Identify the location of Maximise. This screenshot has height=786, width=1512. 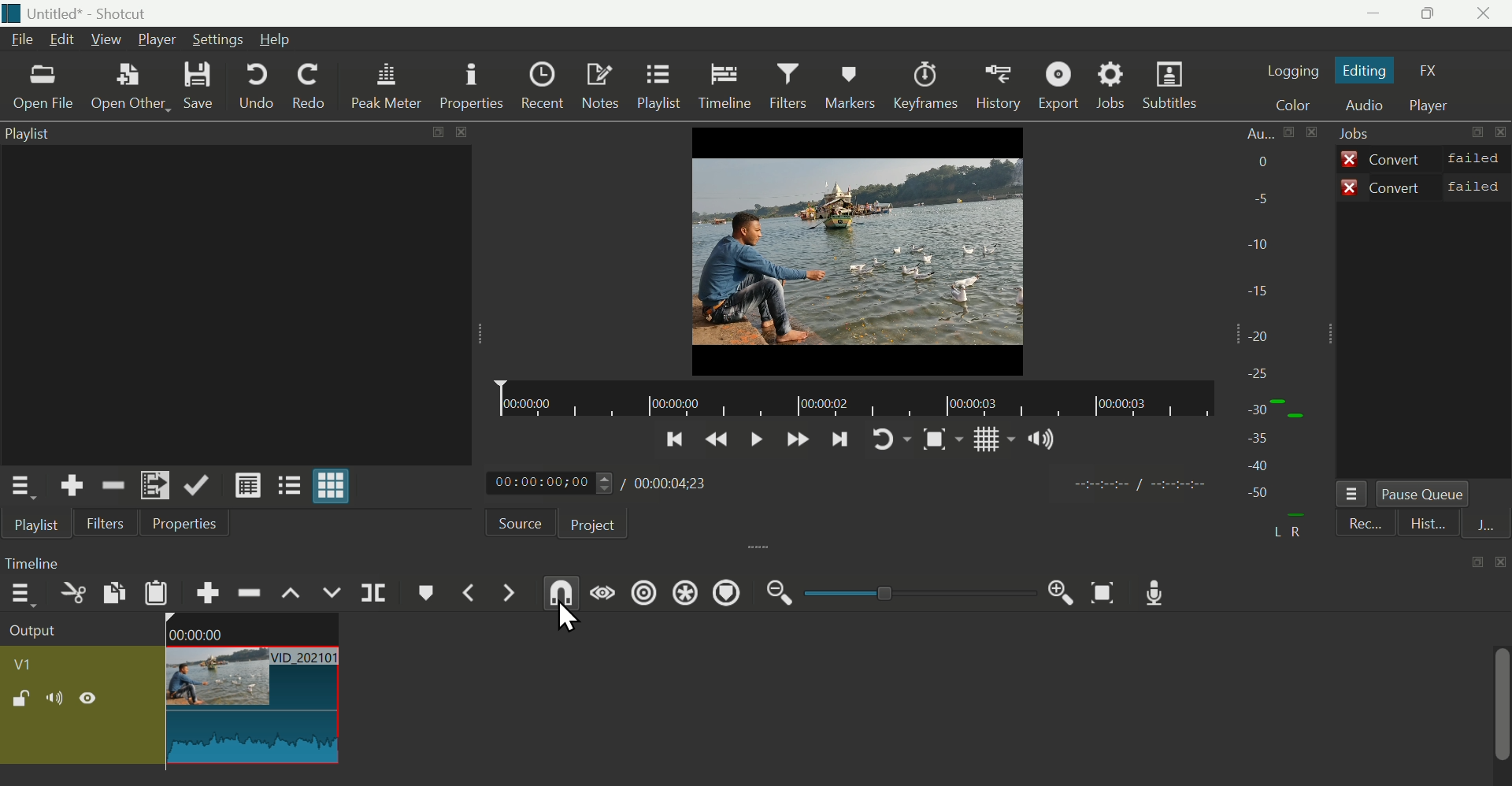
(1435, 14).